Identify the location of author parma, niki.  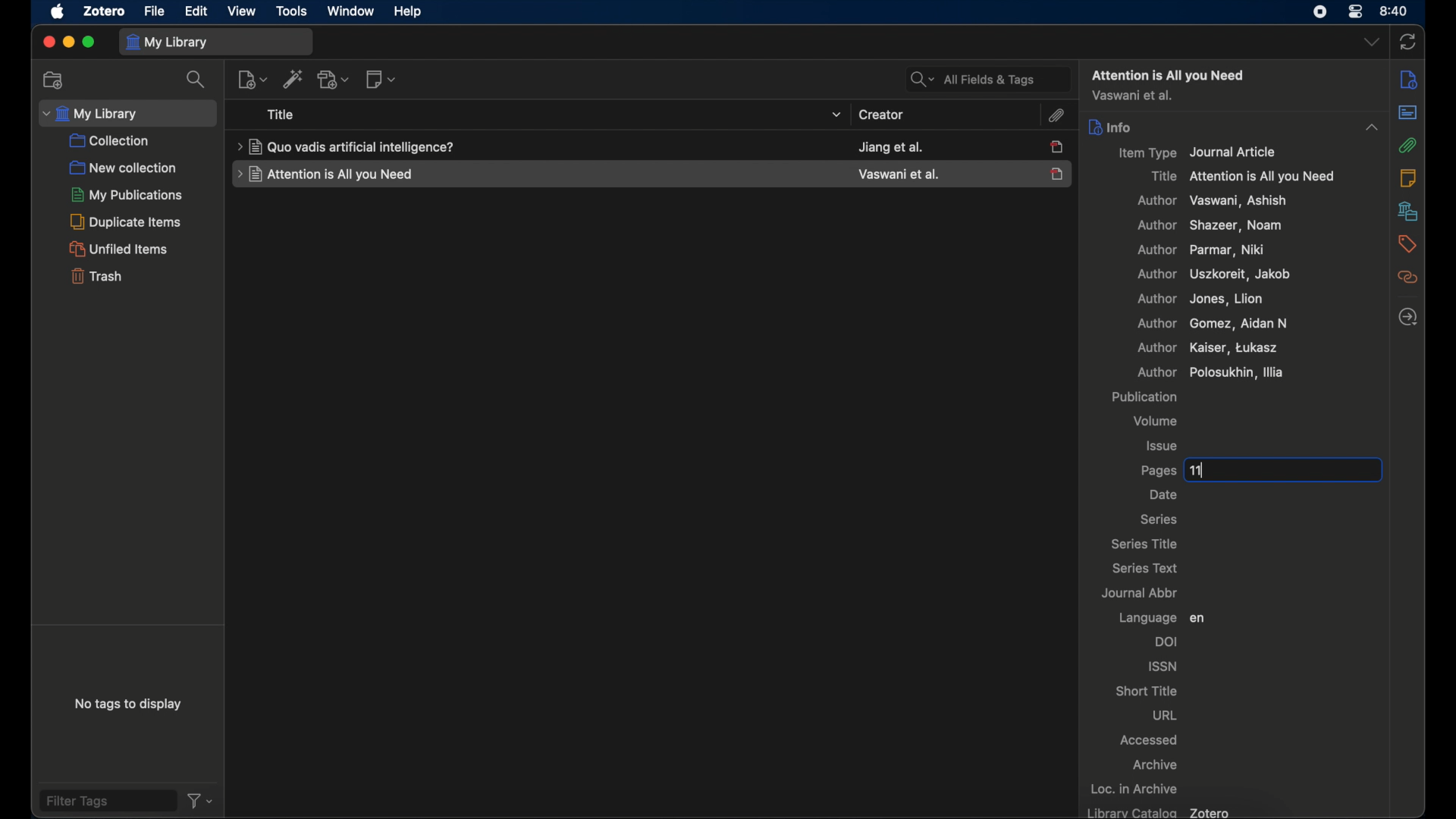
(1207, 250).